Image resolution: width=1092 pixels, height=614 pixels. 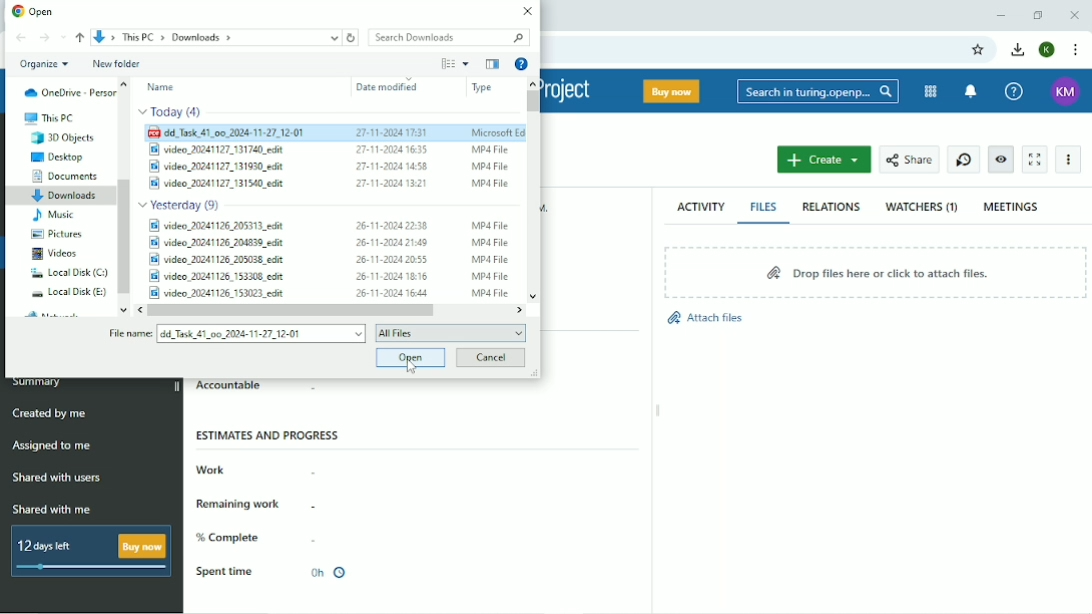 What do you see at coordinates (533, 82) in the screenshot?
I see `scroll up` at bounding box center [533, 82].